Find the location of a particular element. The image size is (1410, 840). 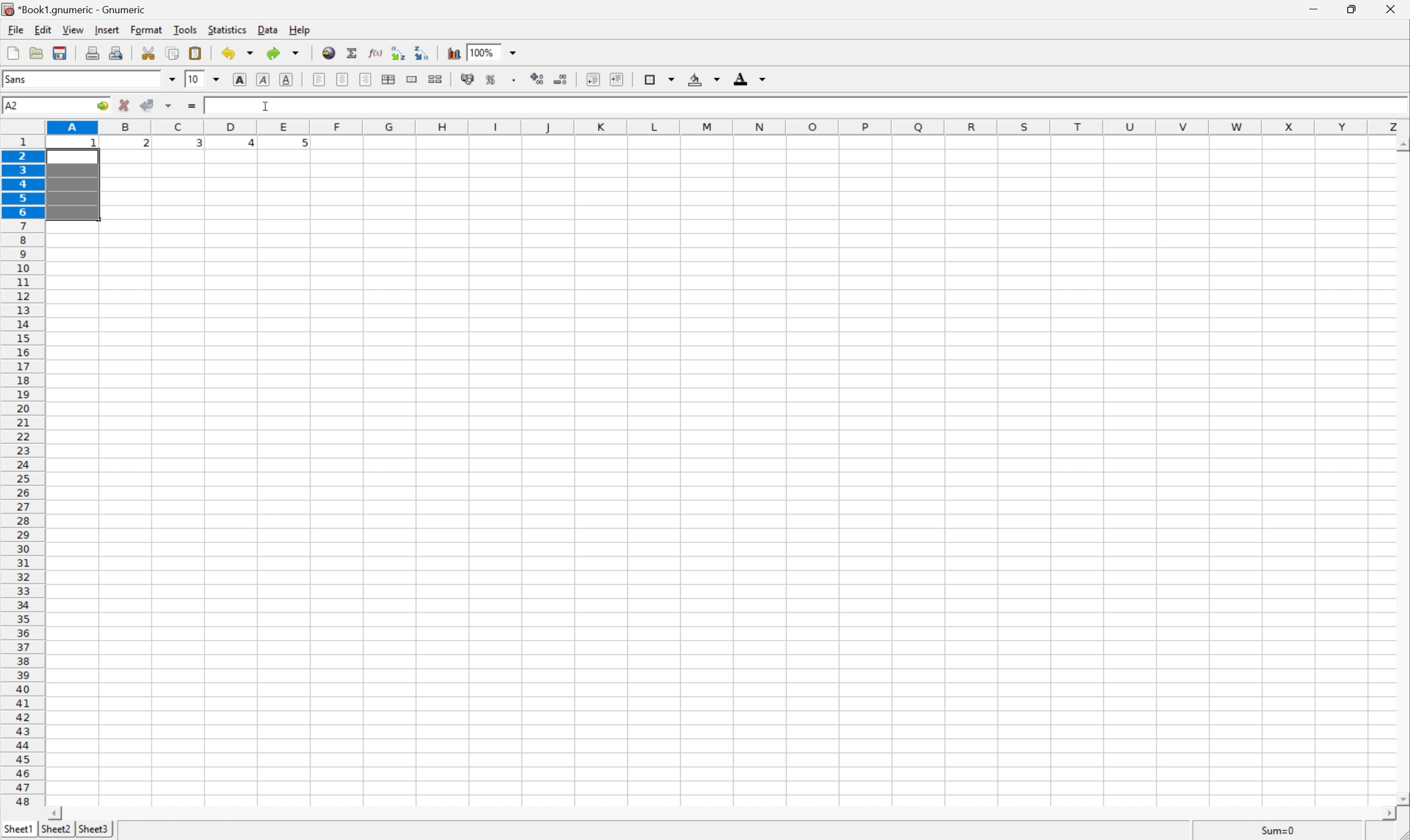

underline is located at coordinates (288, 79).